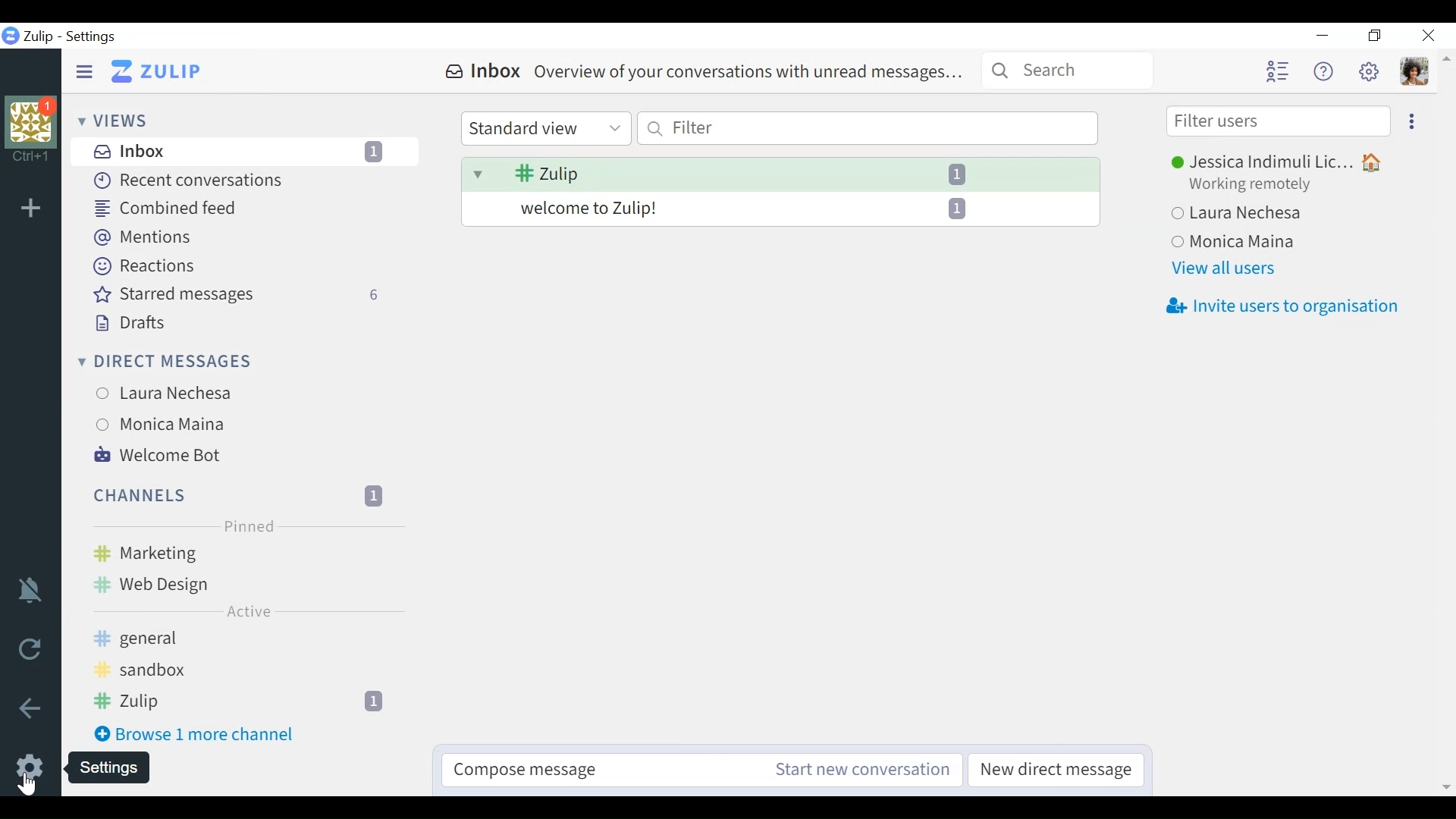  Describe the element at coordinates (248, 585) in the screenshot. I see `#Channel` at that location.